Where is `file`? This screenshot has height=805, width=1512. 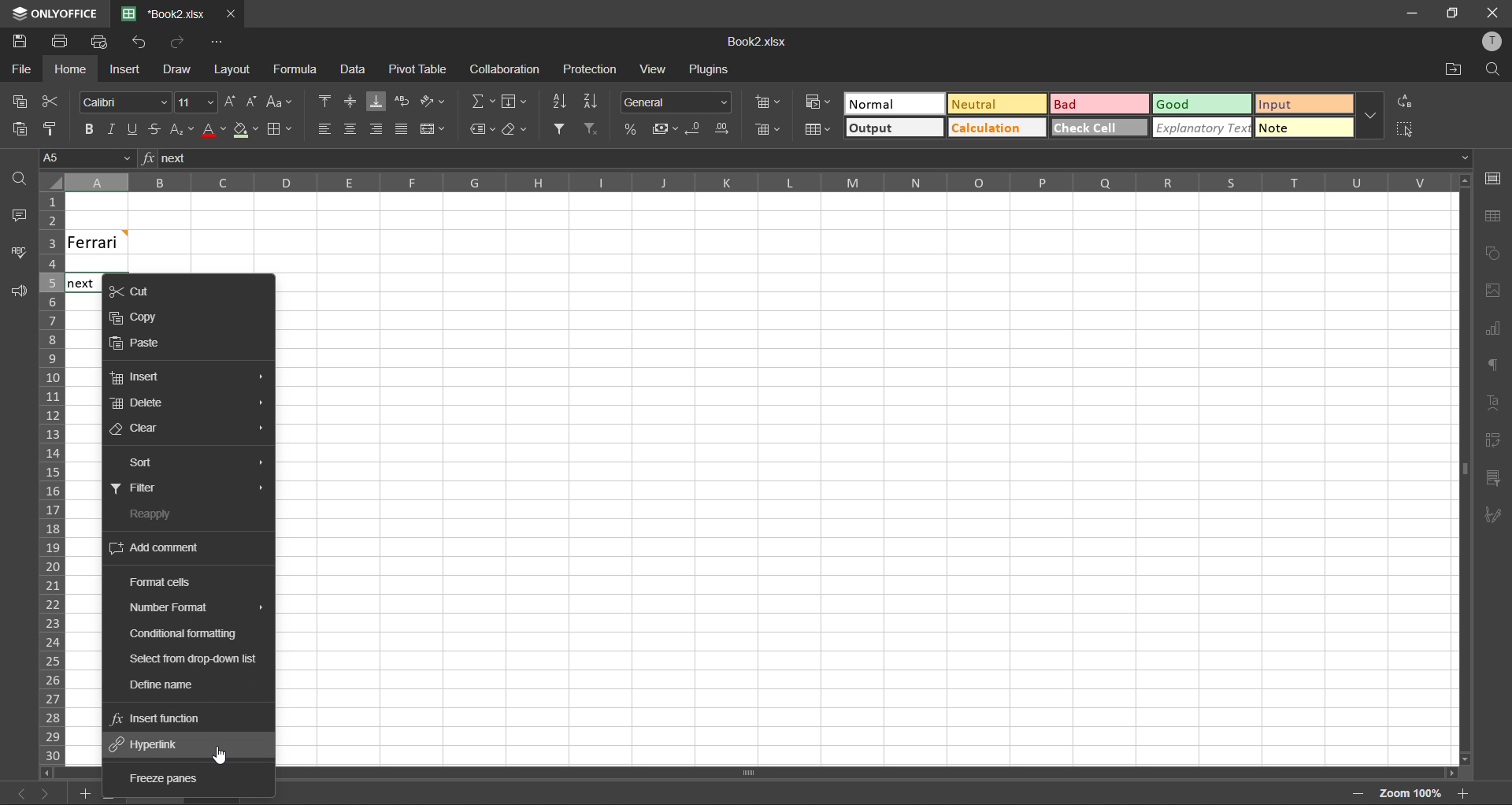 file is located at coordinates (20, 70).